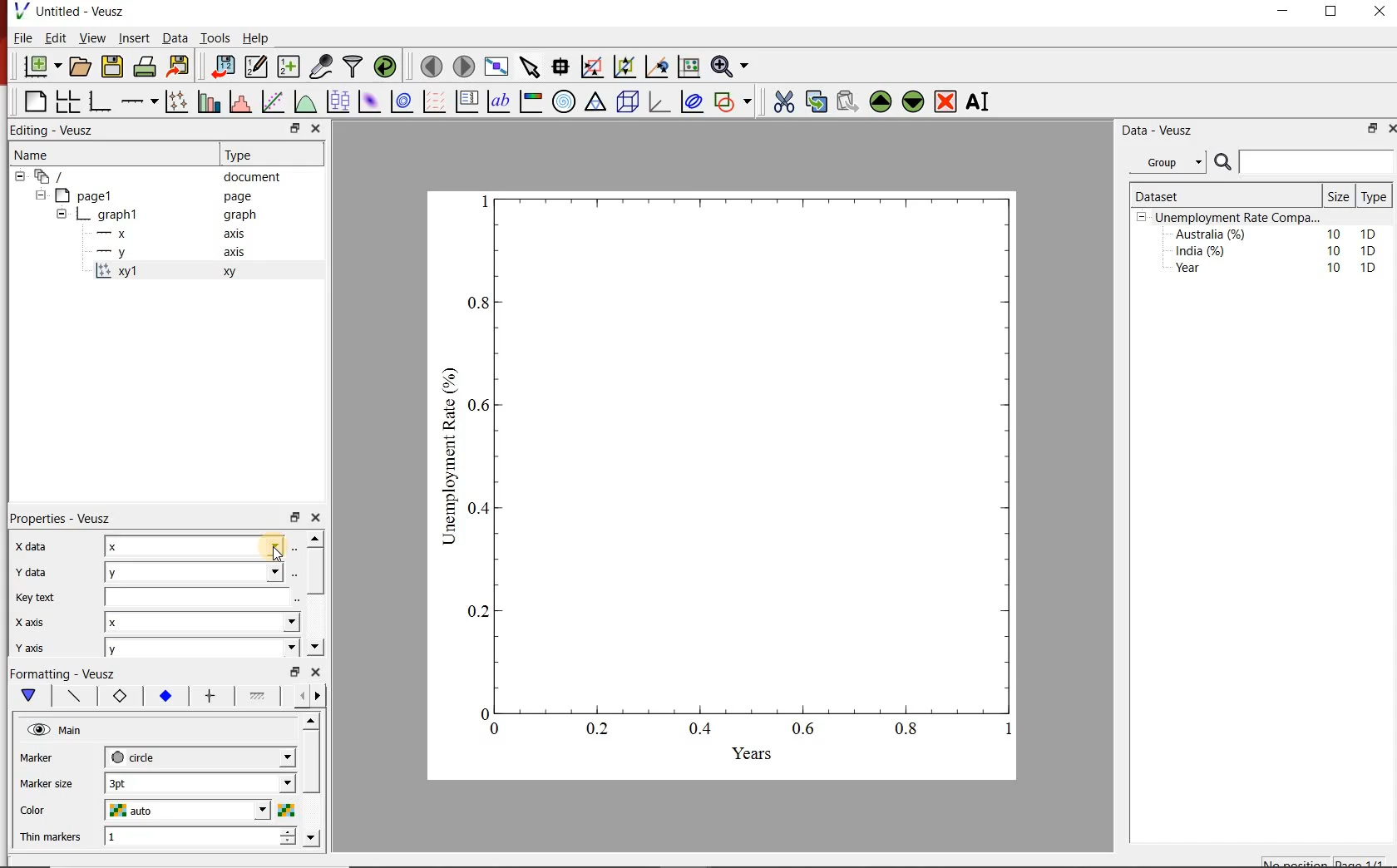  I want to click on ‘document, so click(155, 175).